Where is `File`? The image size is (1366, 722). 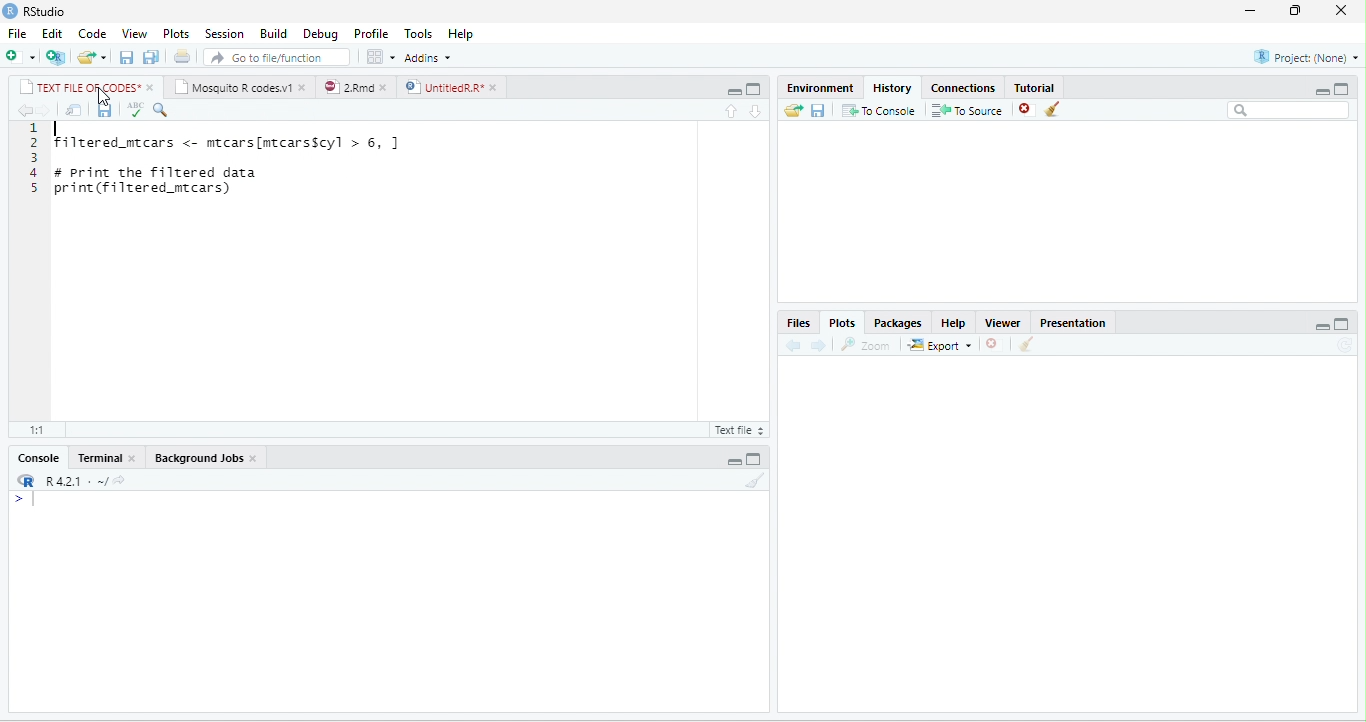
File is located at coordinates (17, 33).